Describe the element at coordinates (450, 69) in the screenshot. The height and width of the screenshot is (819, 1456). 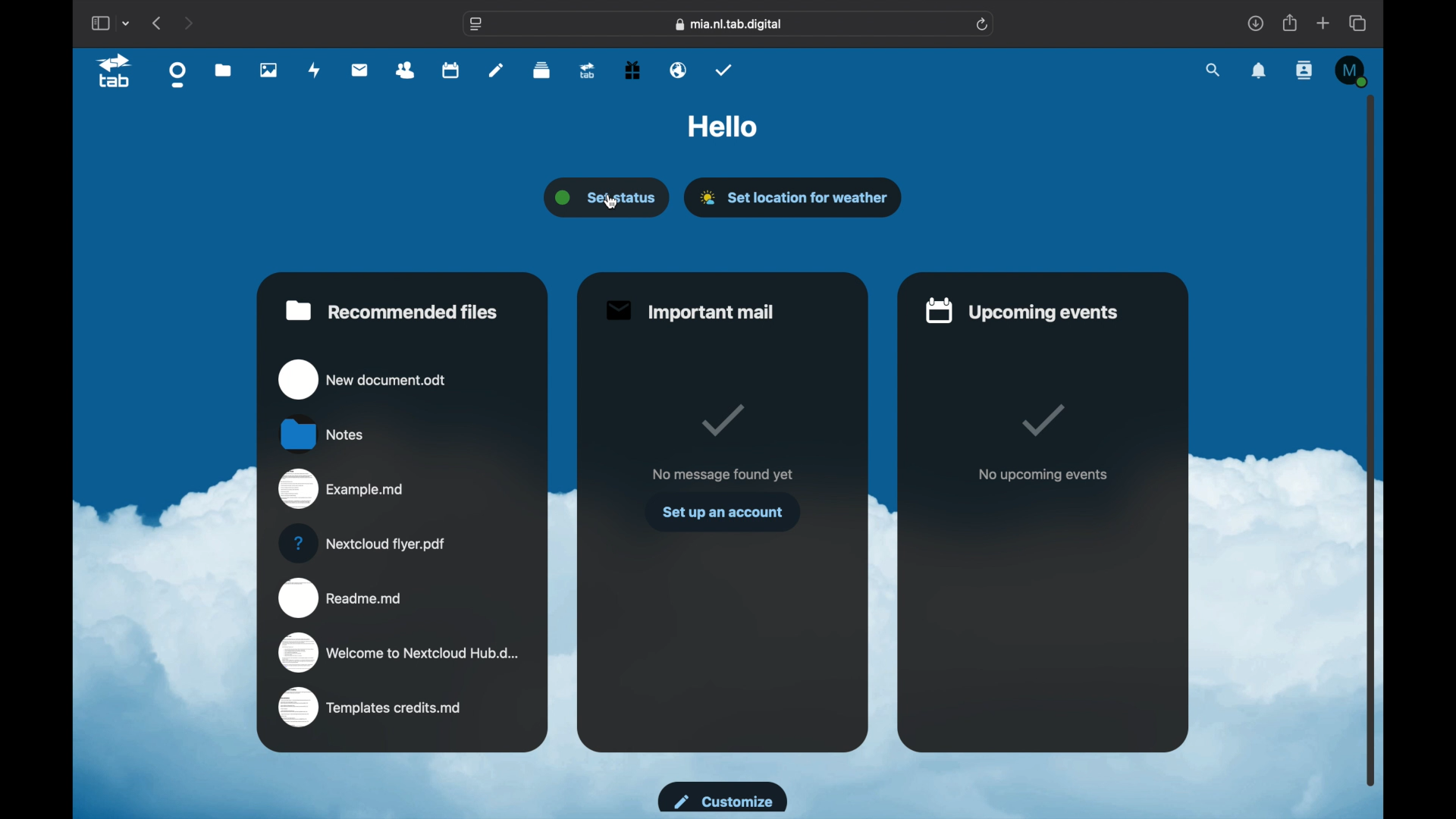
I see `calendar` at that location.